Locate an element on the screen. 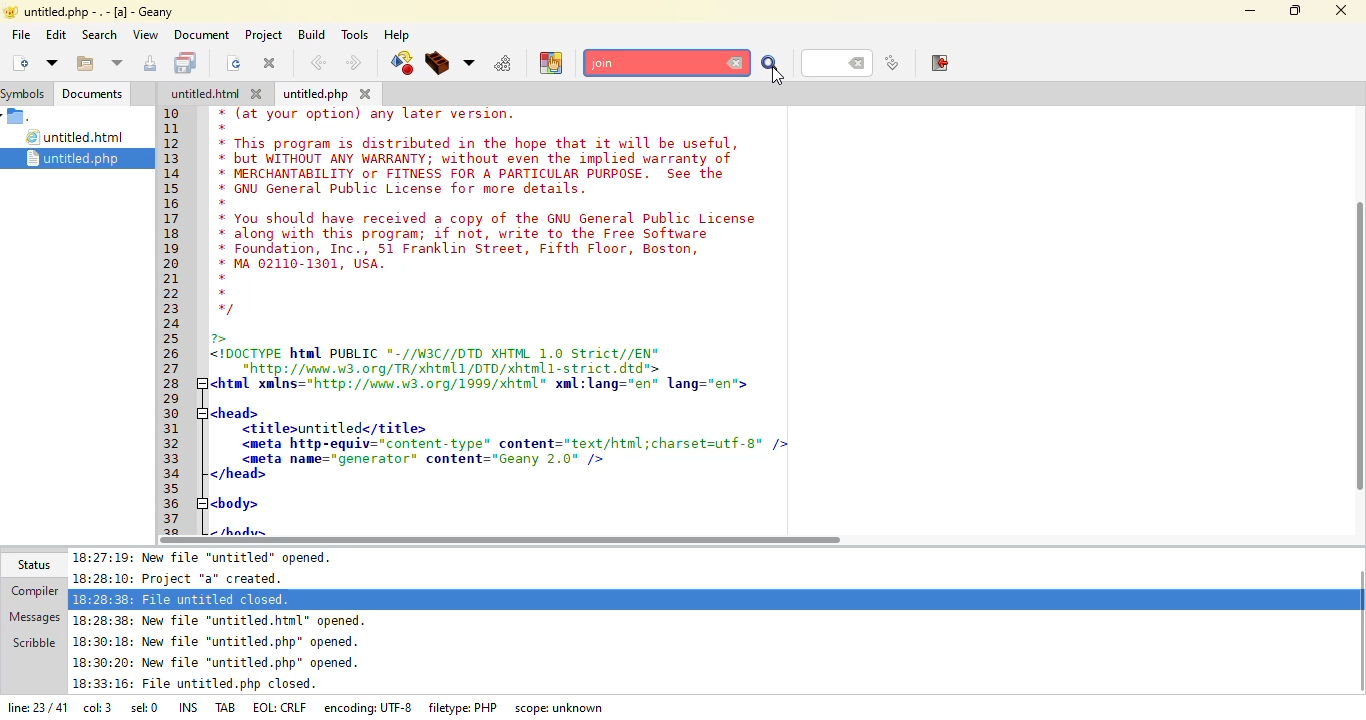 Image resolution: width=1366 pixels, height=720 pixels. jump to line is located at coordinates (891, 64).